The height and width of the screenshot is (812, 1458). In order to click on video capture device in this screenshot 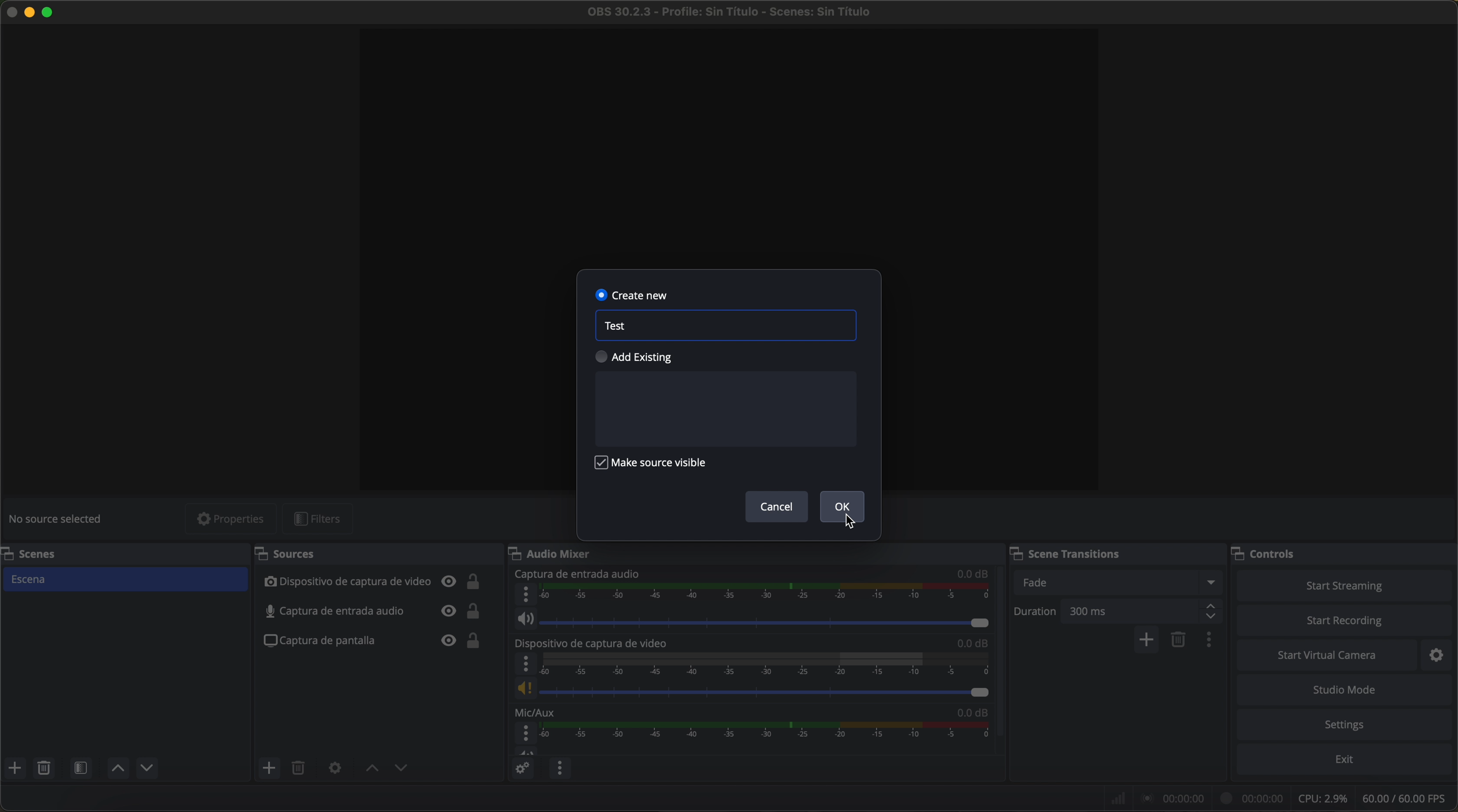, I will do `click(595, 643)`.